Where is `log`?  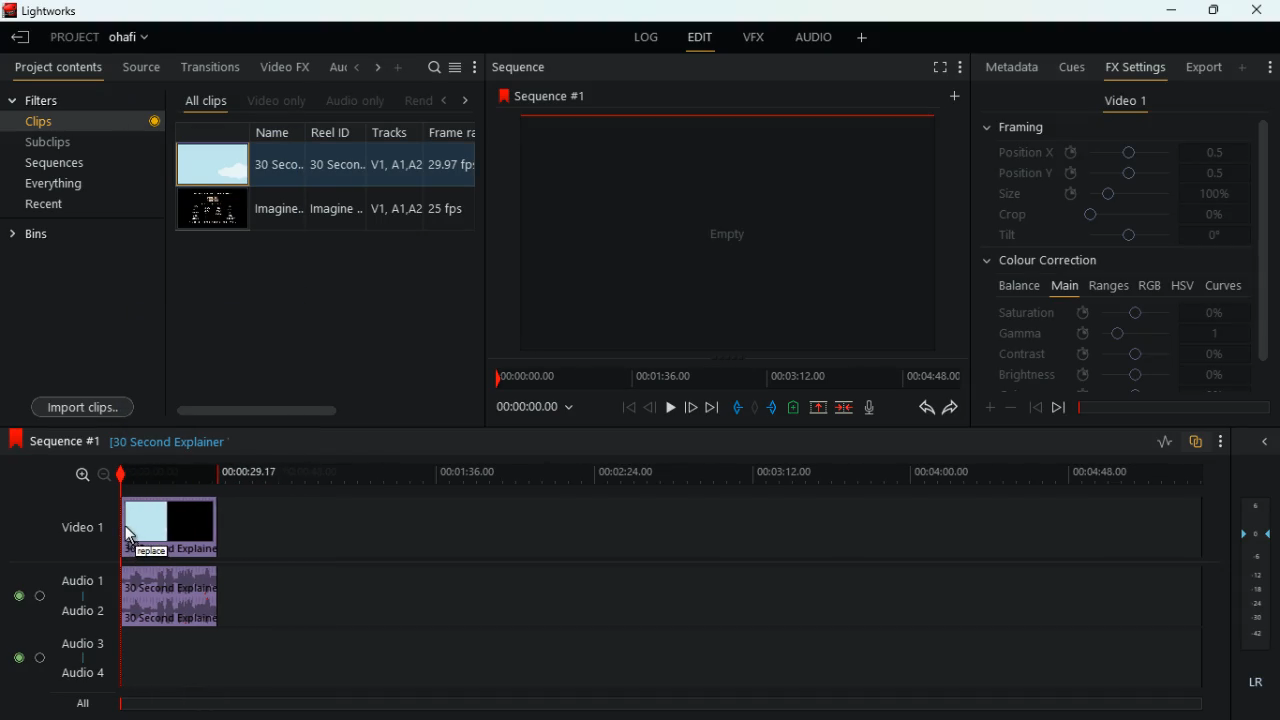 log is located at coordinates (642, 40).